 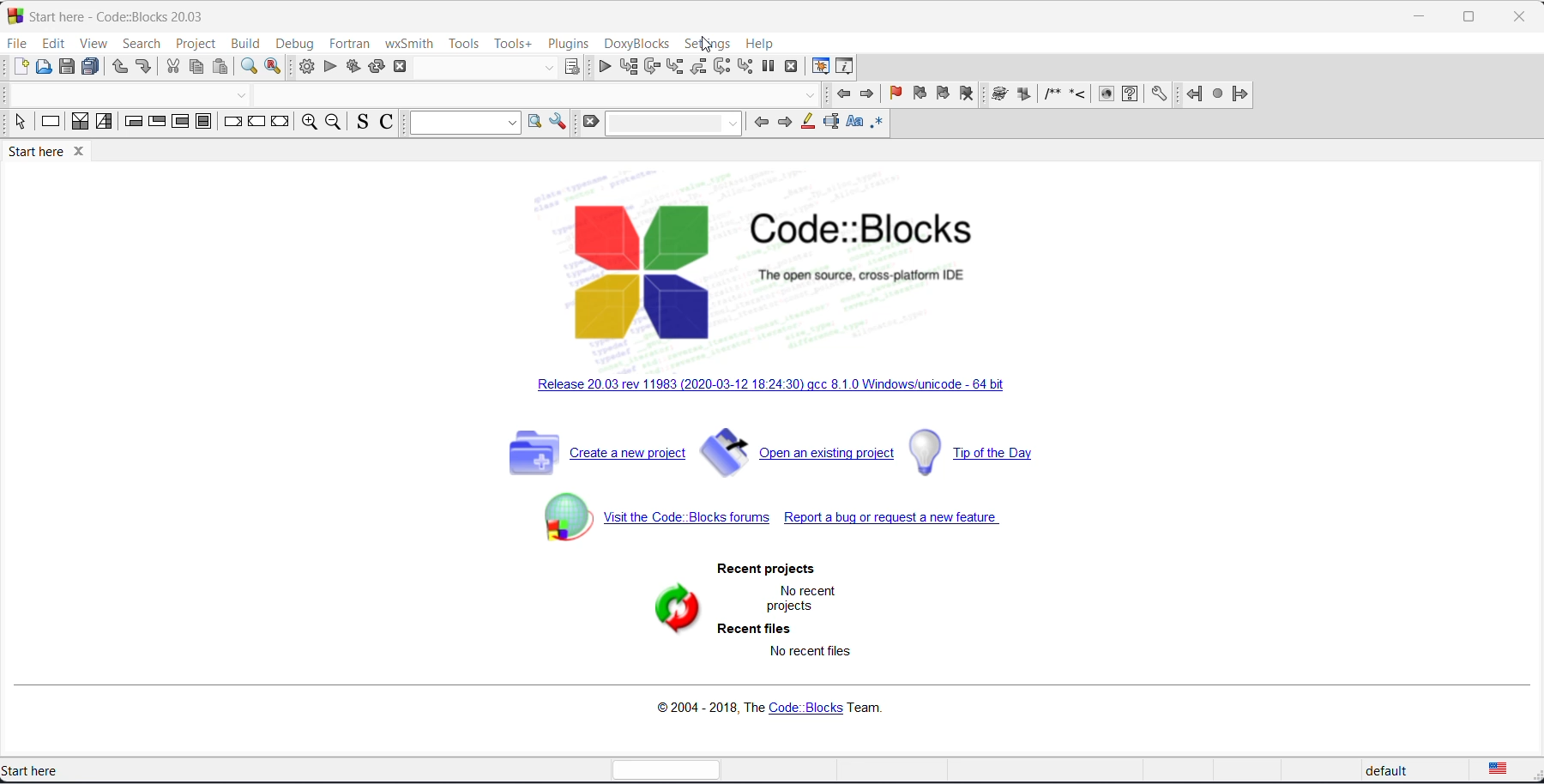 I want to click on return instruction, so click(x=280, y=119).